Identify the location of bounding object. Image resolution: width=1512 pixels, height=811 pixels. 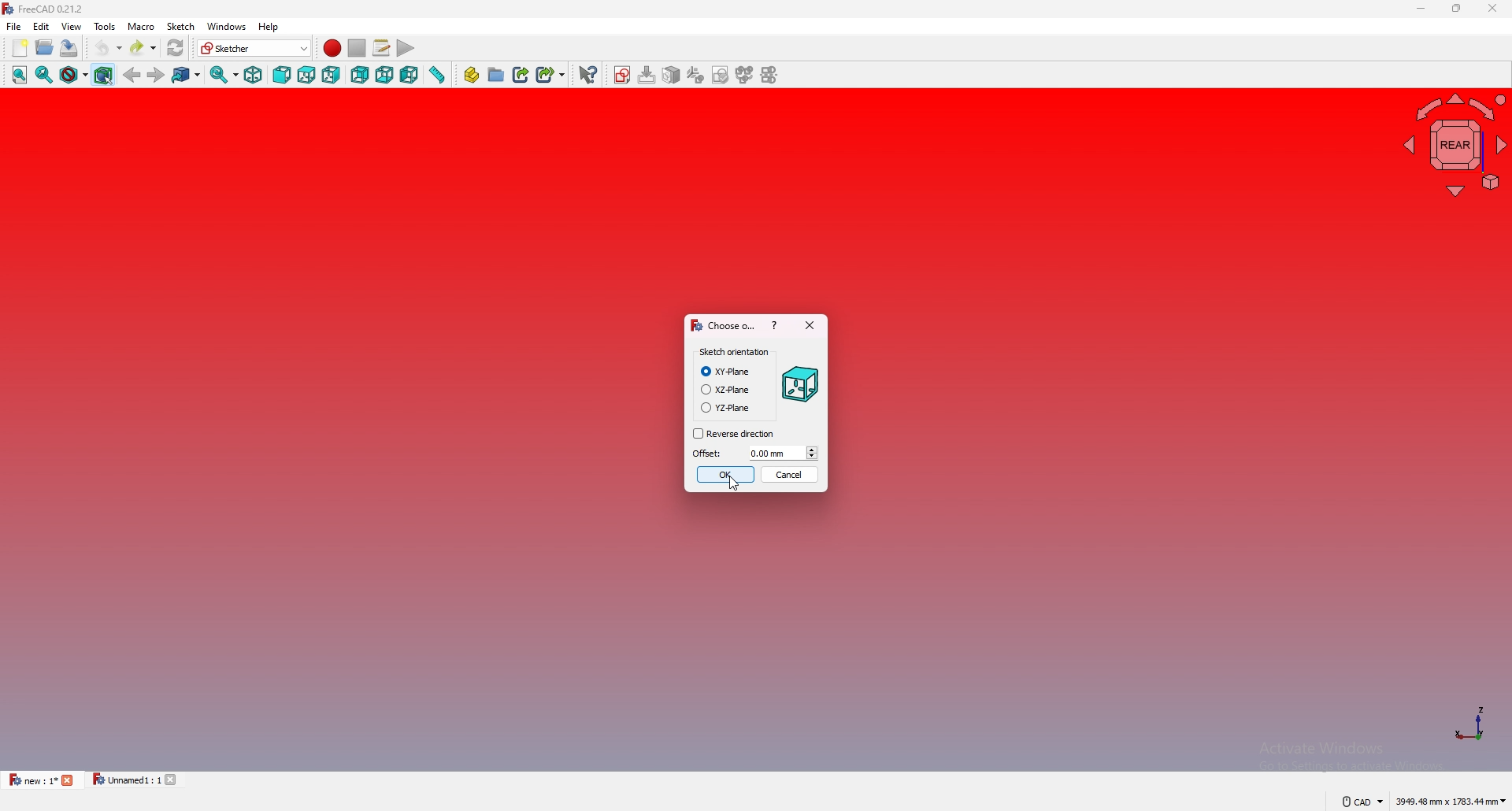
(104, 73).